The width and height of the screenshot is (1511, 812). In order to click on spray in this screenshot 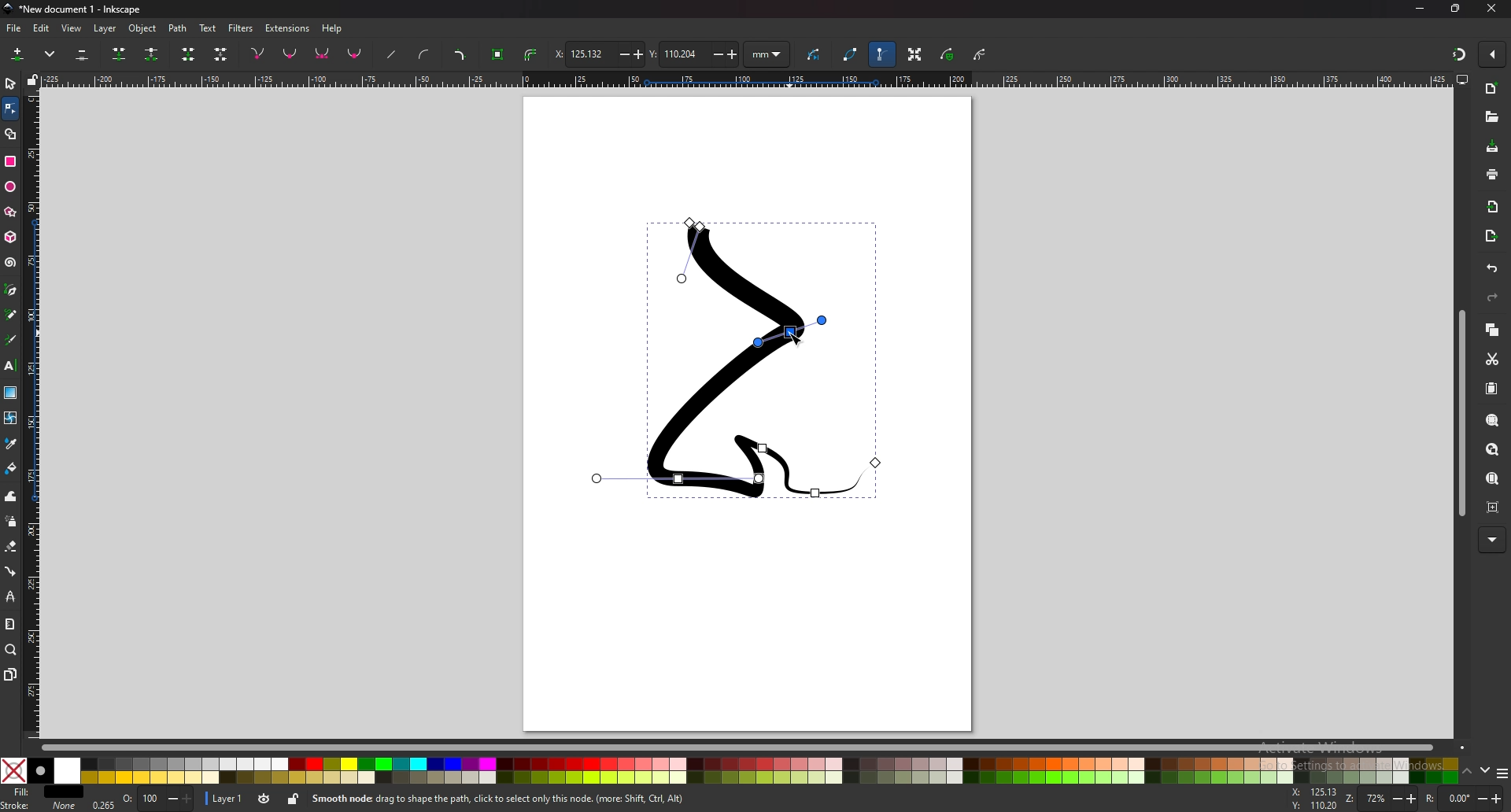, I will do `click(12, 522)`.